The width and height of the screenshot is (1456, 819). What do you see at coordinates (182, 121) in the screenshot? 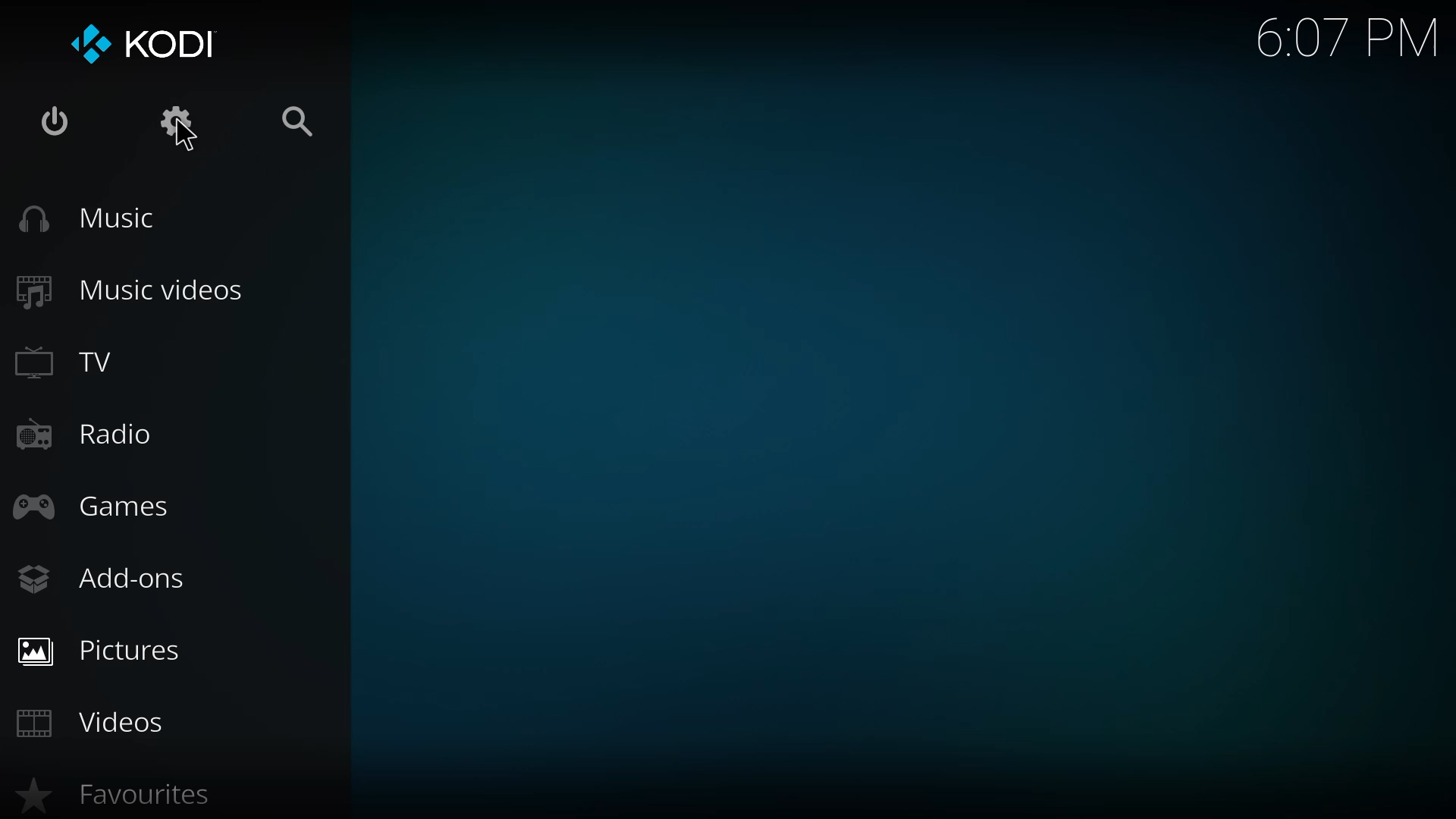
I see `settings` at bounding box center [182, 121].